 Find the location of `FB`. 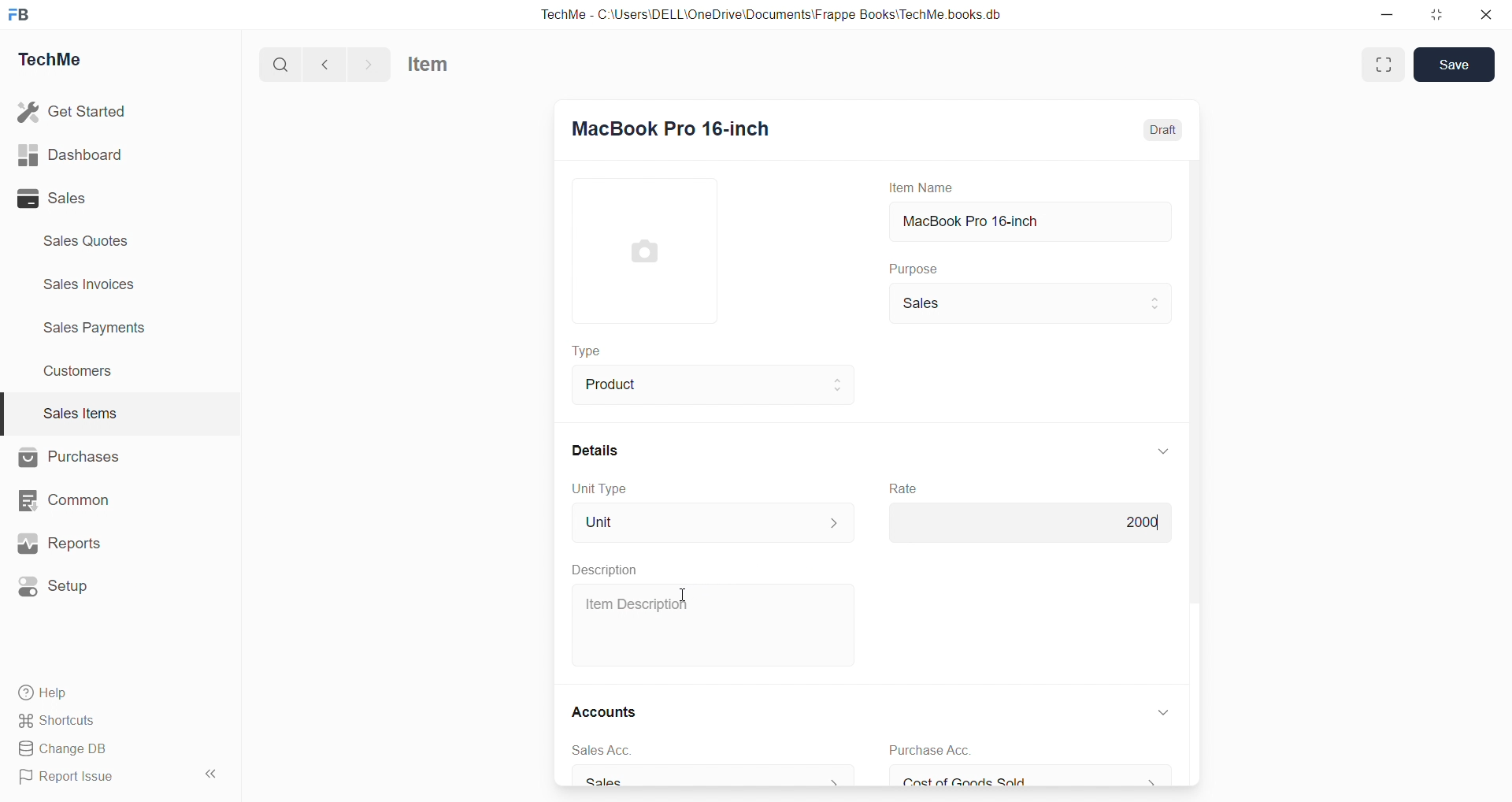

FB is located at coordinates (22, 14).